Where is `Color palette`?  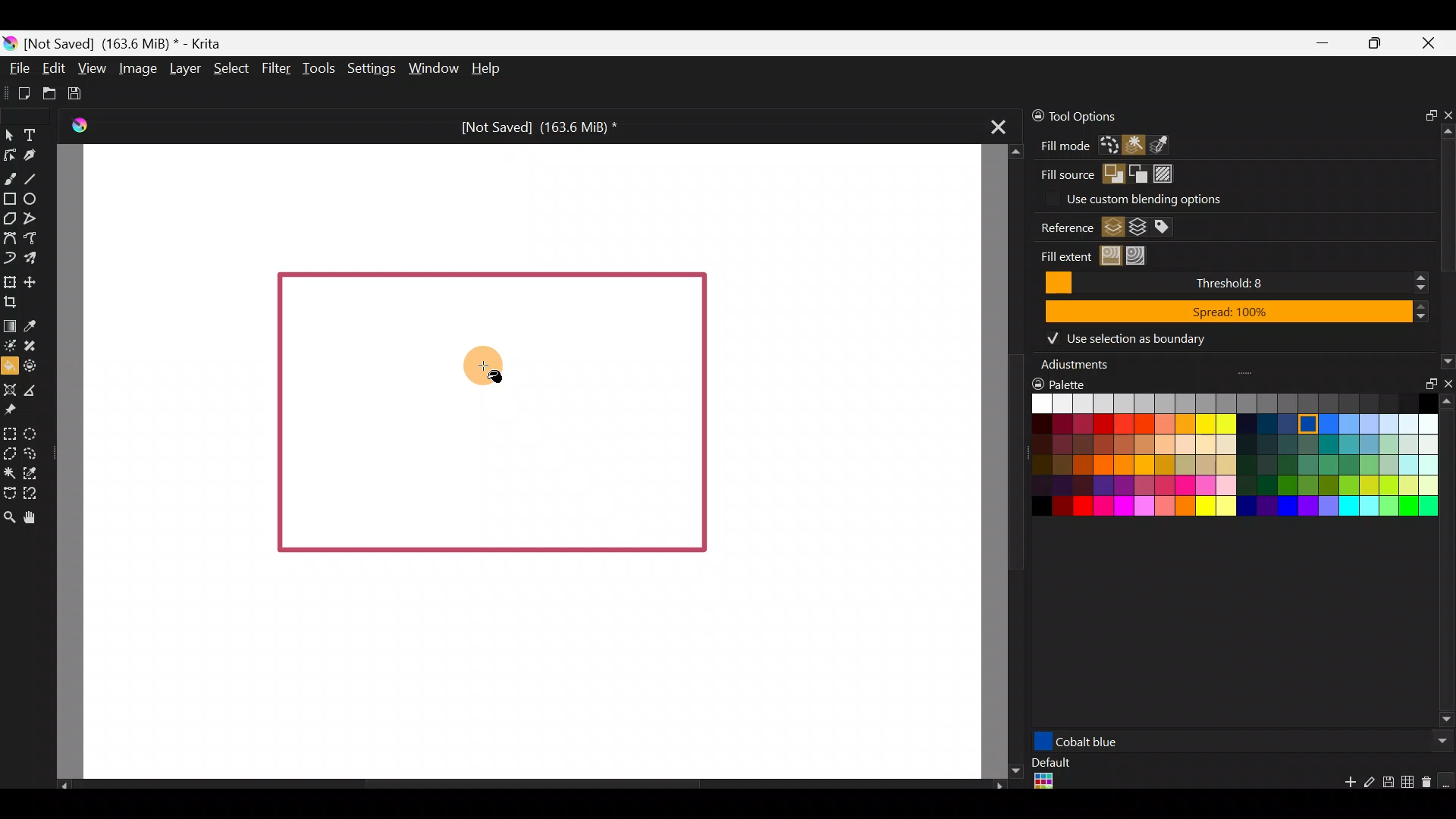 Color palette is located at coordinates (1222, 468).